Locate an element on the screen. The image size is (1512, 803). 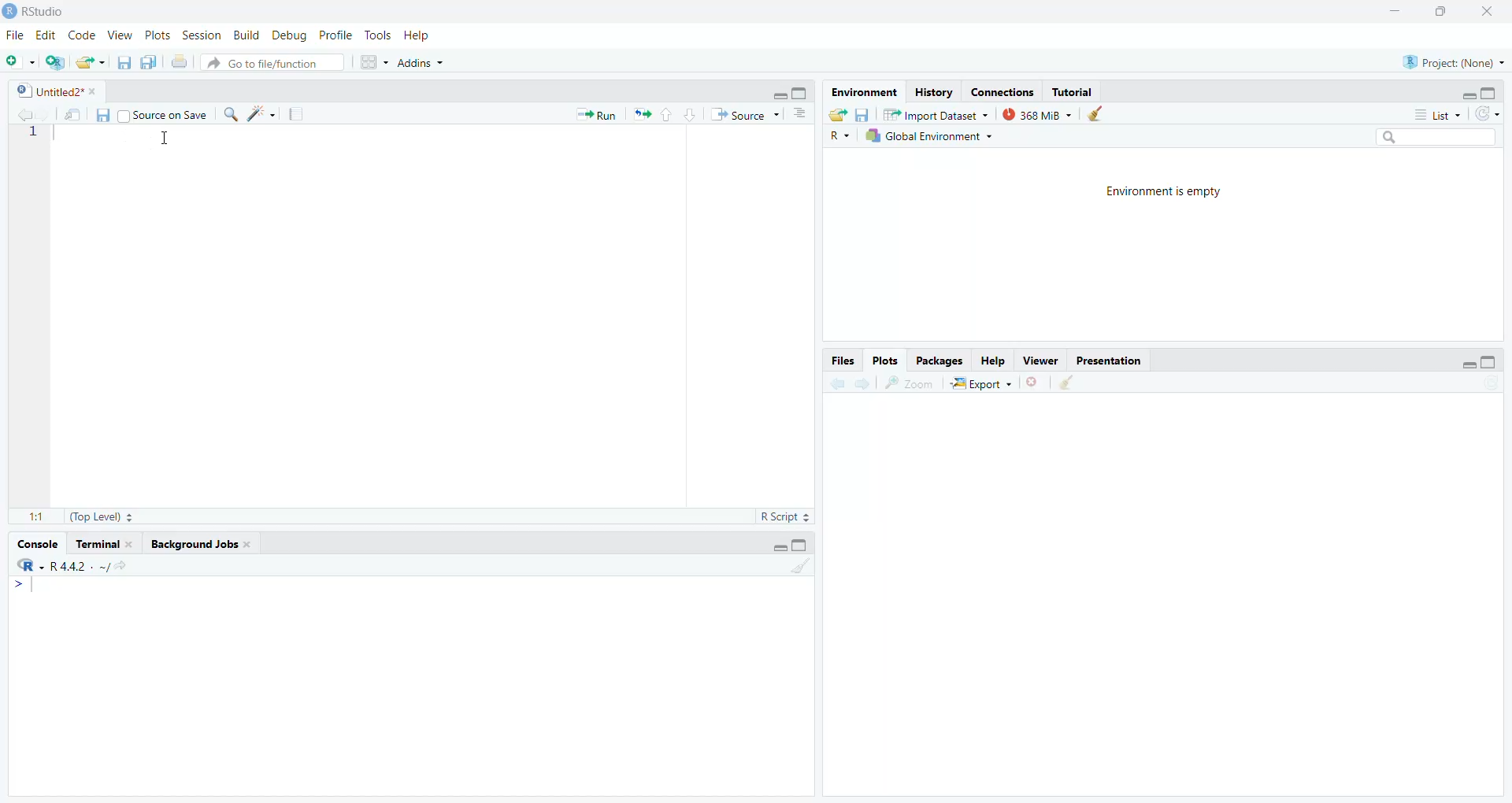
clear is located at coordinates (1099, 115).